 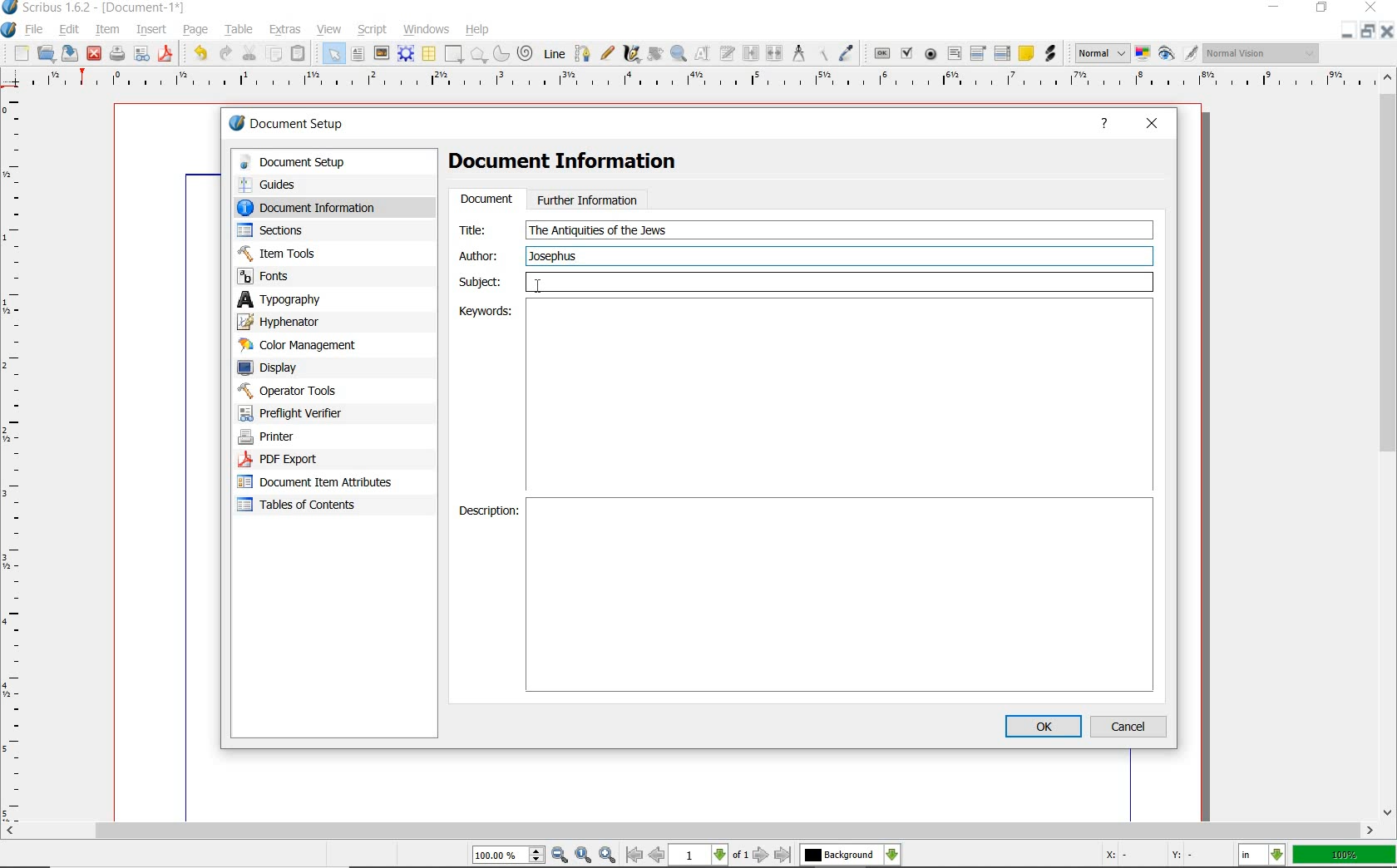 What do you see at coordinates (705, 83) in the screenshot?
I see `ruler` at bounding box center [705, 83].